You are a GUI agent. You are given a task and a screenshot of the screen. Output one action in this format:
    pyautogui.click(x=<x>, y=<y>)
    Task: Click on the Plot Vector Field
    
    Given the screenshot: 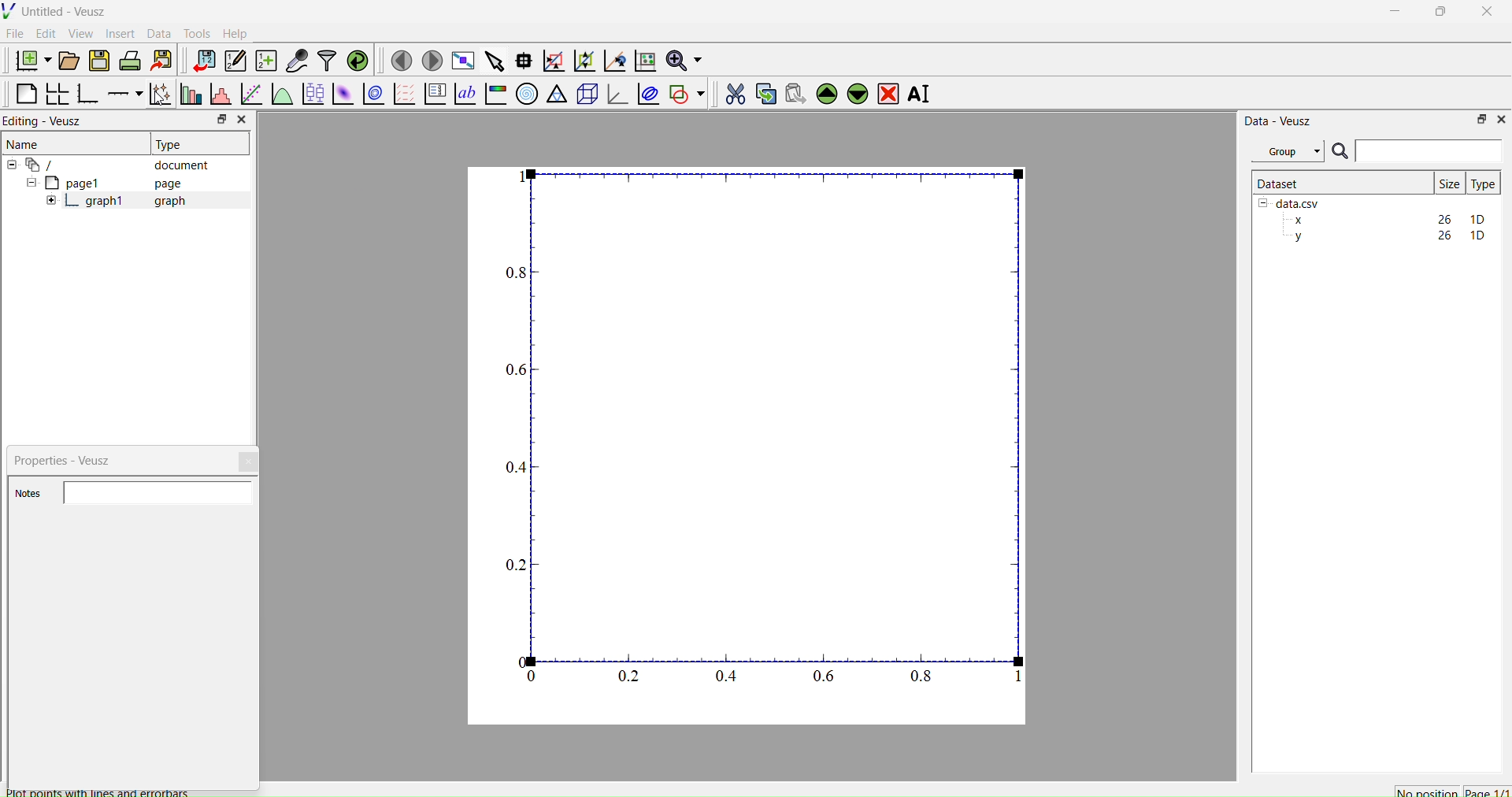 What is the action you would take?
    pyautogui.click(x=404, y=95)
    